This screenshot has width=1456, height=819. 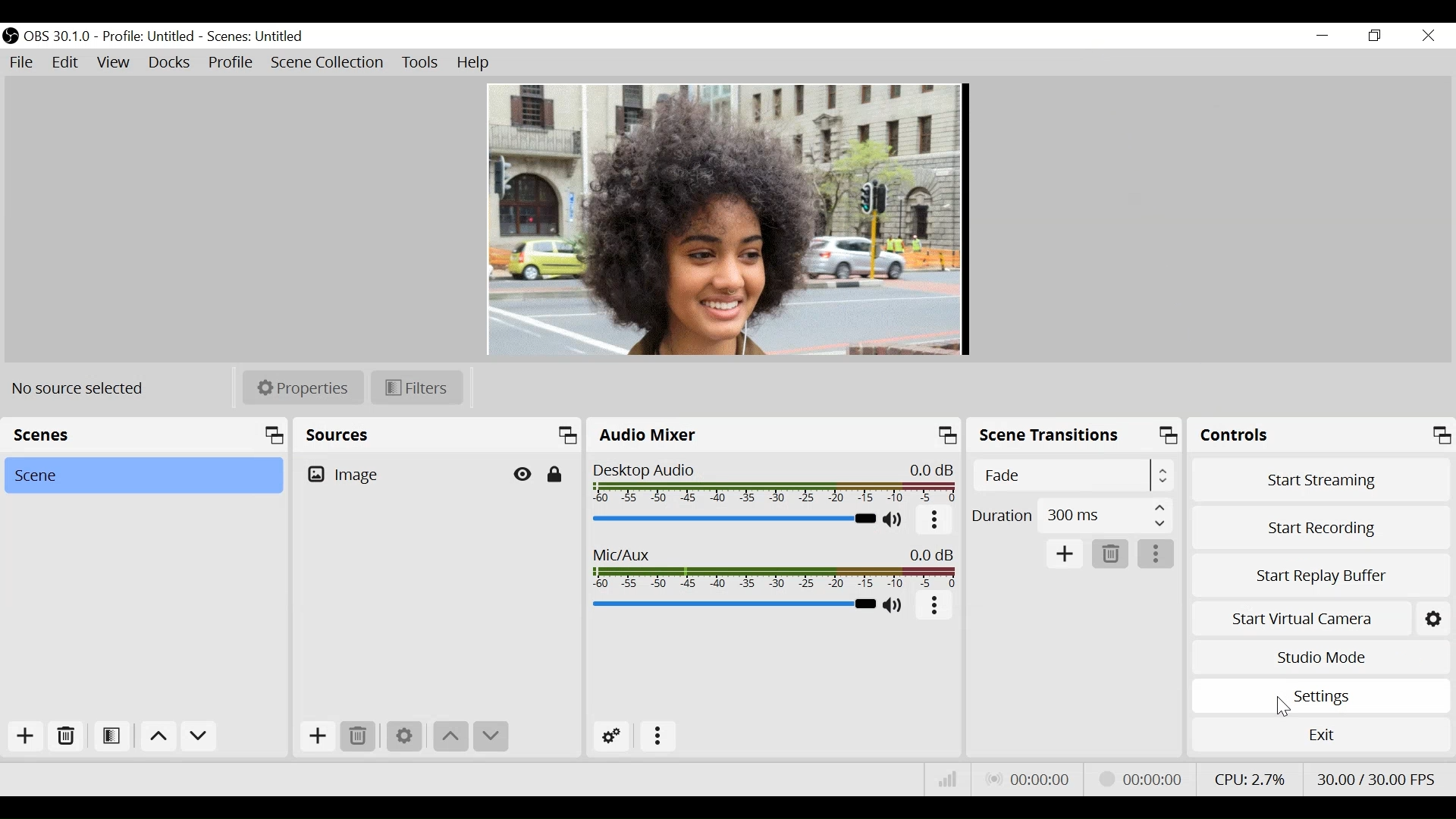 What do you see at coordinates (474, 62) in the screenshot?
I see `Help` at bounding box center [474, 62].